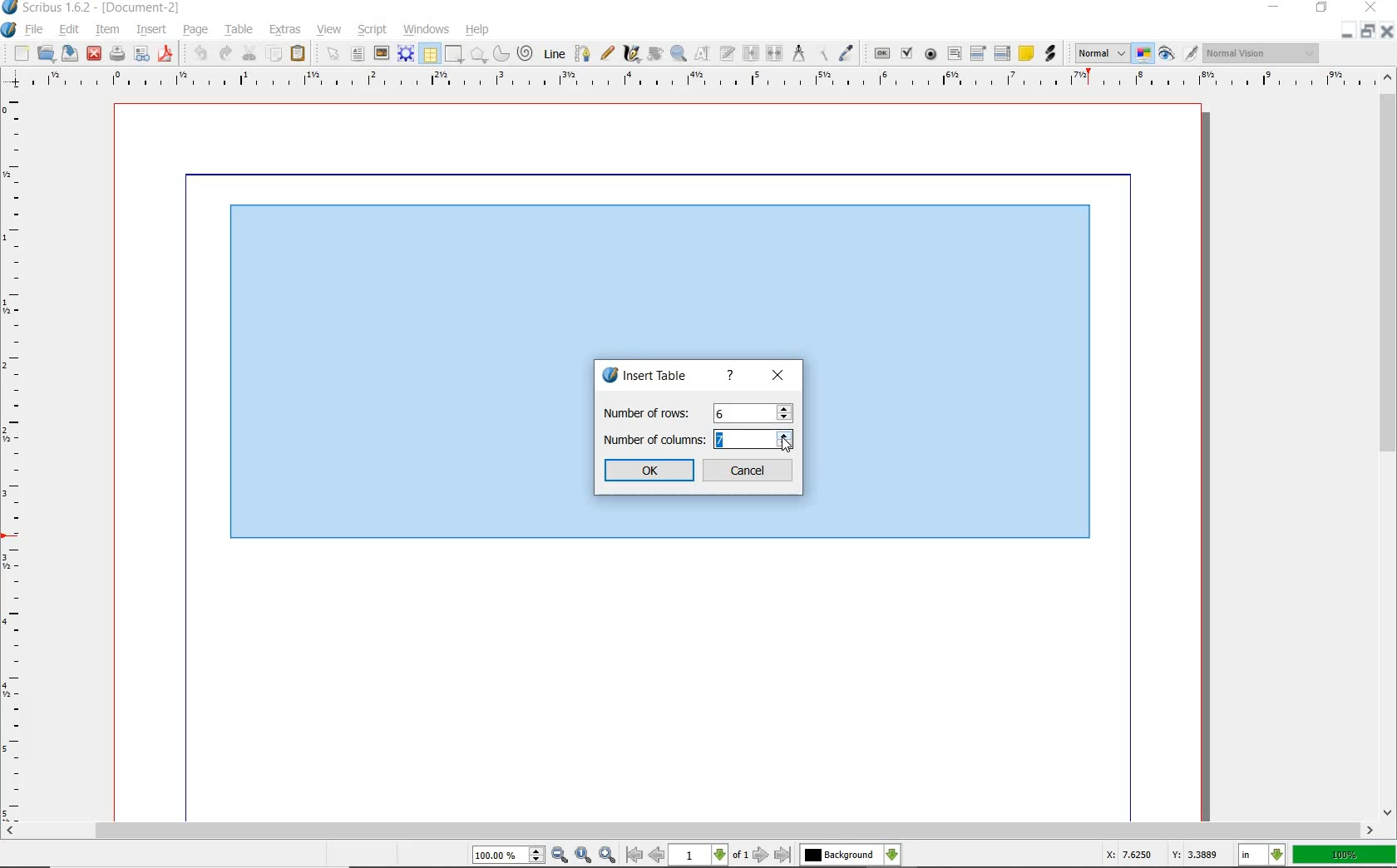  What do you see at coordinates (1322, 8) in the screenshot?
I see `restore` at bounding box center [1322, 8].